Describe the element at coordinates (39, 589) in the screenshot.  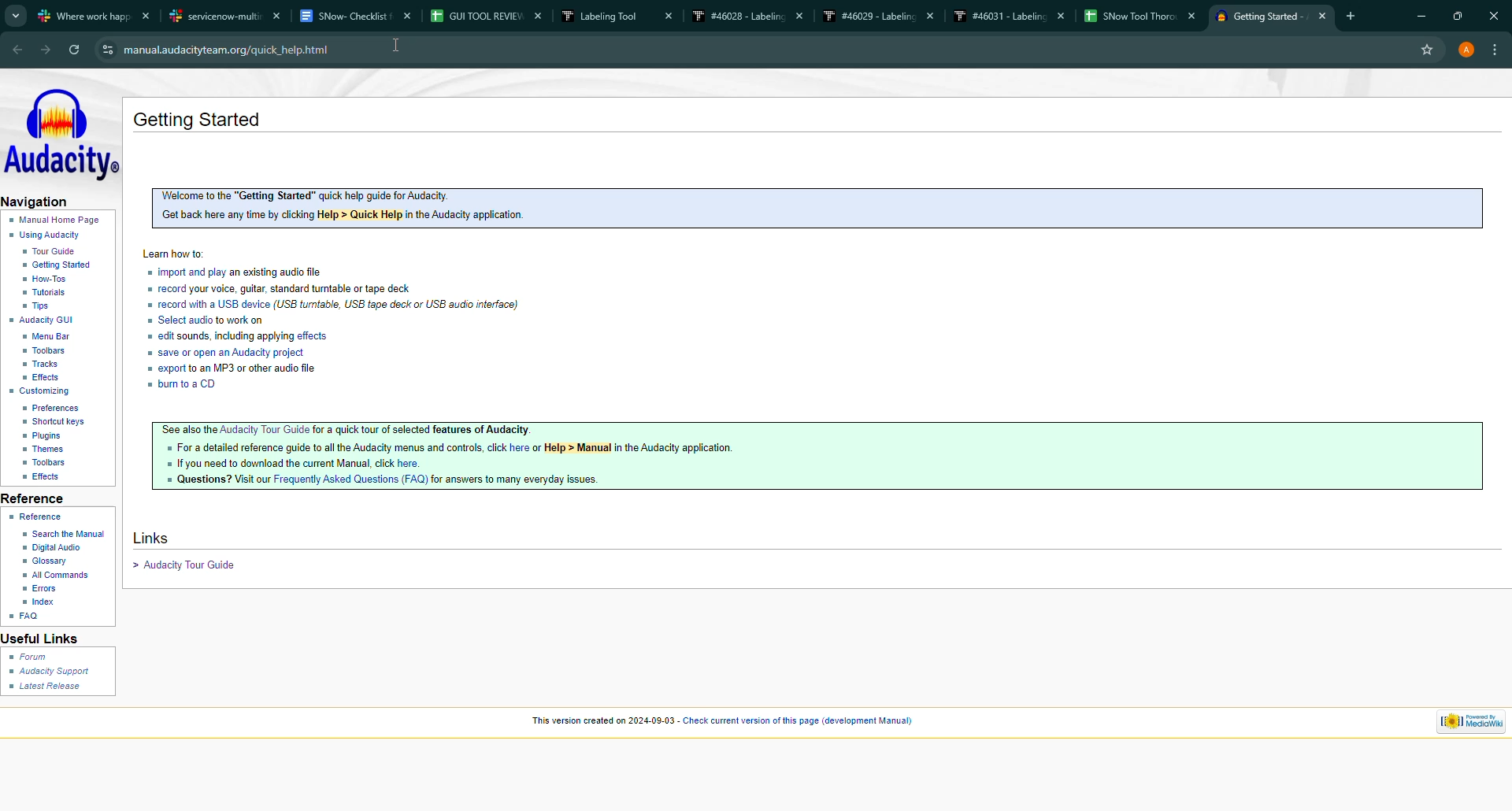
I see `error` at that location.